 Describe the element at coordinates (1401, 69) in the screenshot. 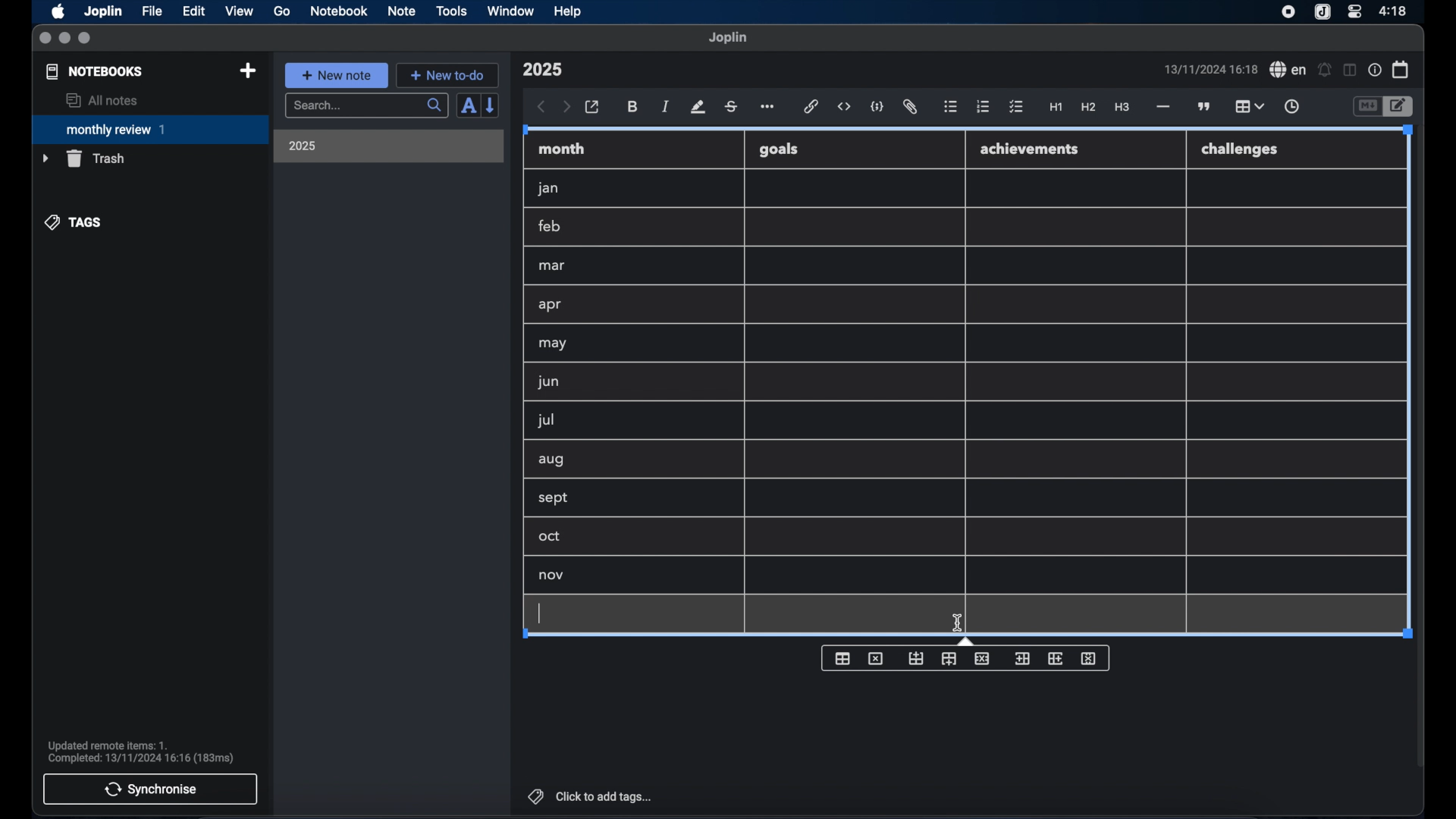

I see `calendar` at that location.